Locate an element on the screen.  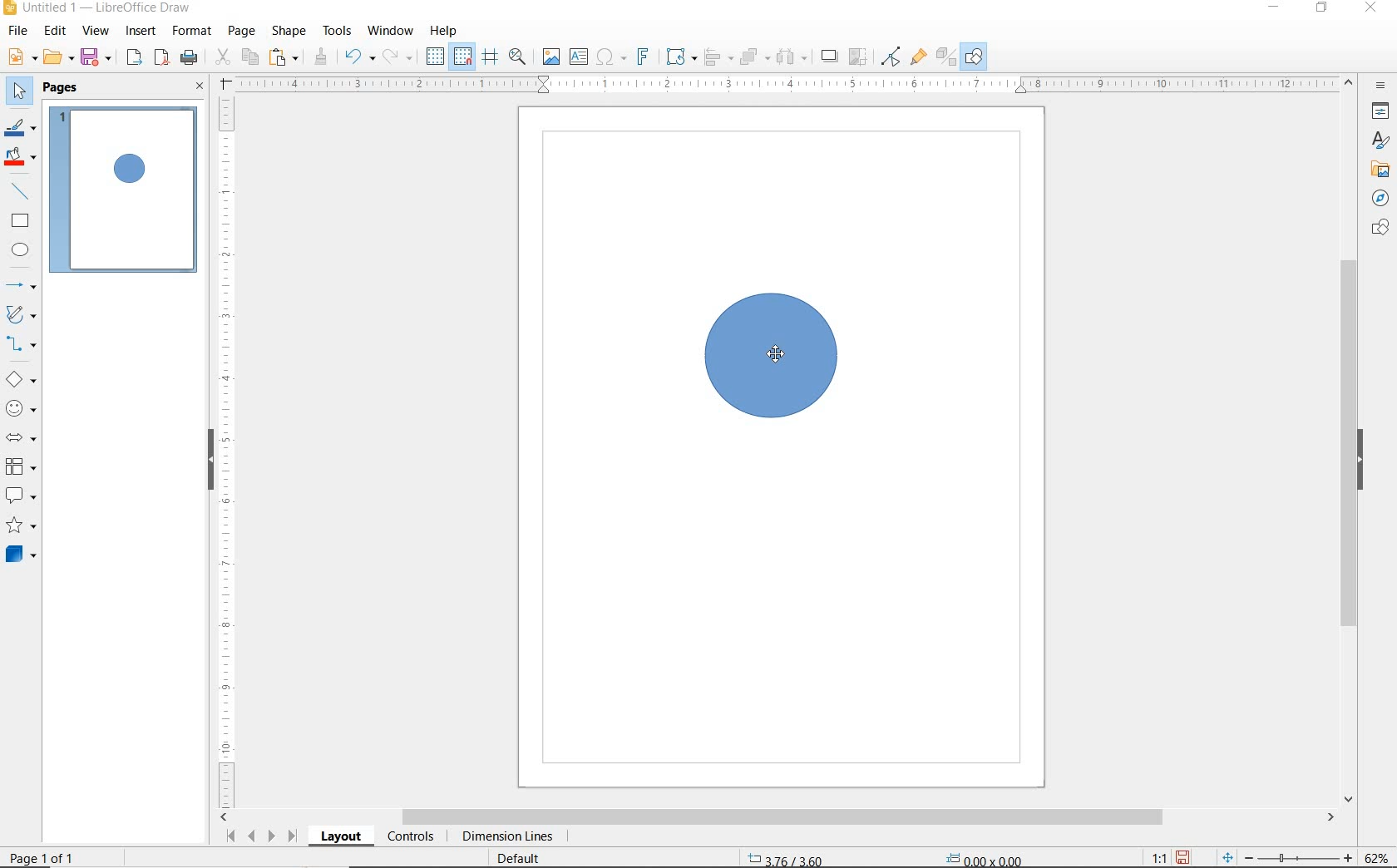
SELECT is located at coordinates (19, 93).